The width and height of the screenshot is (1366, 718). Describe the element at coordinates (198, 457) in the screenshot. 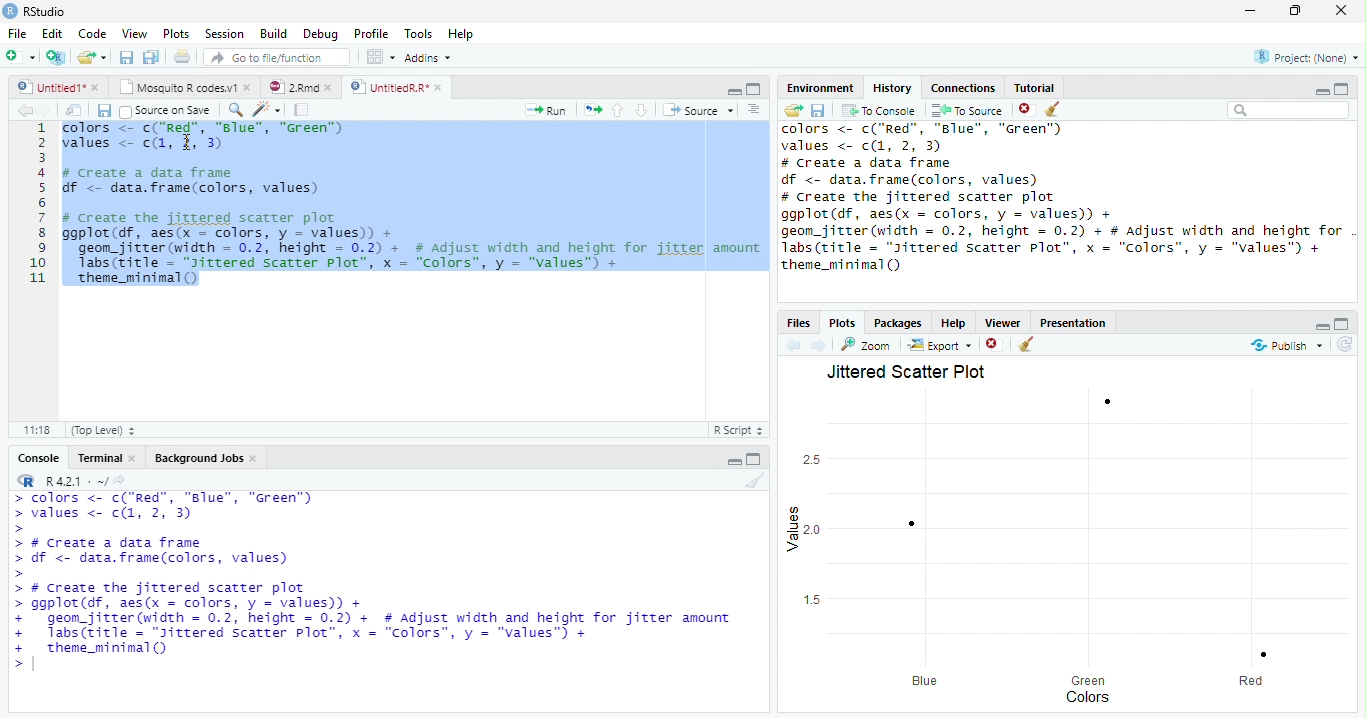

I see `Background Jobs` at that location.